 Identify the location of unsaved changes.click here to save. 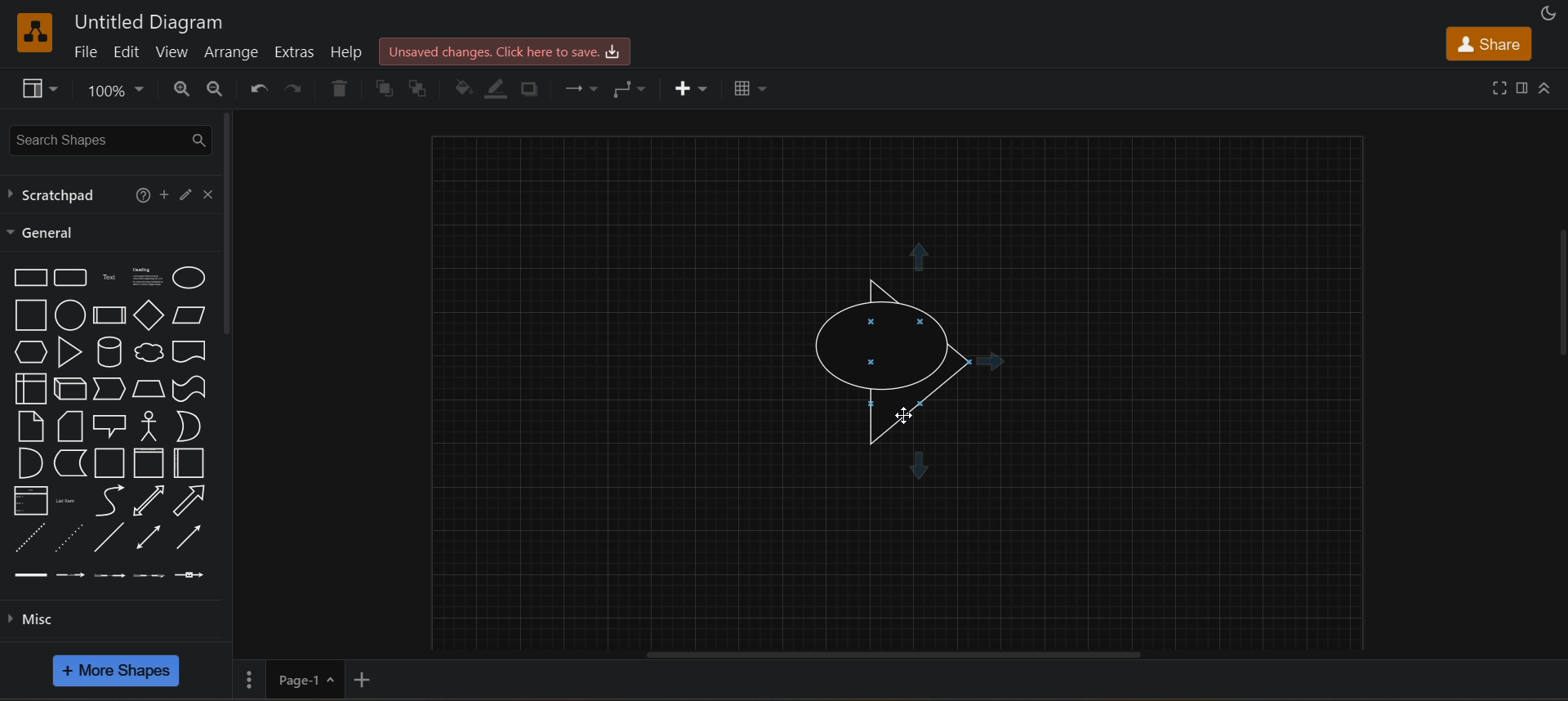
(506, 51).